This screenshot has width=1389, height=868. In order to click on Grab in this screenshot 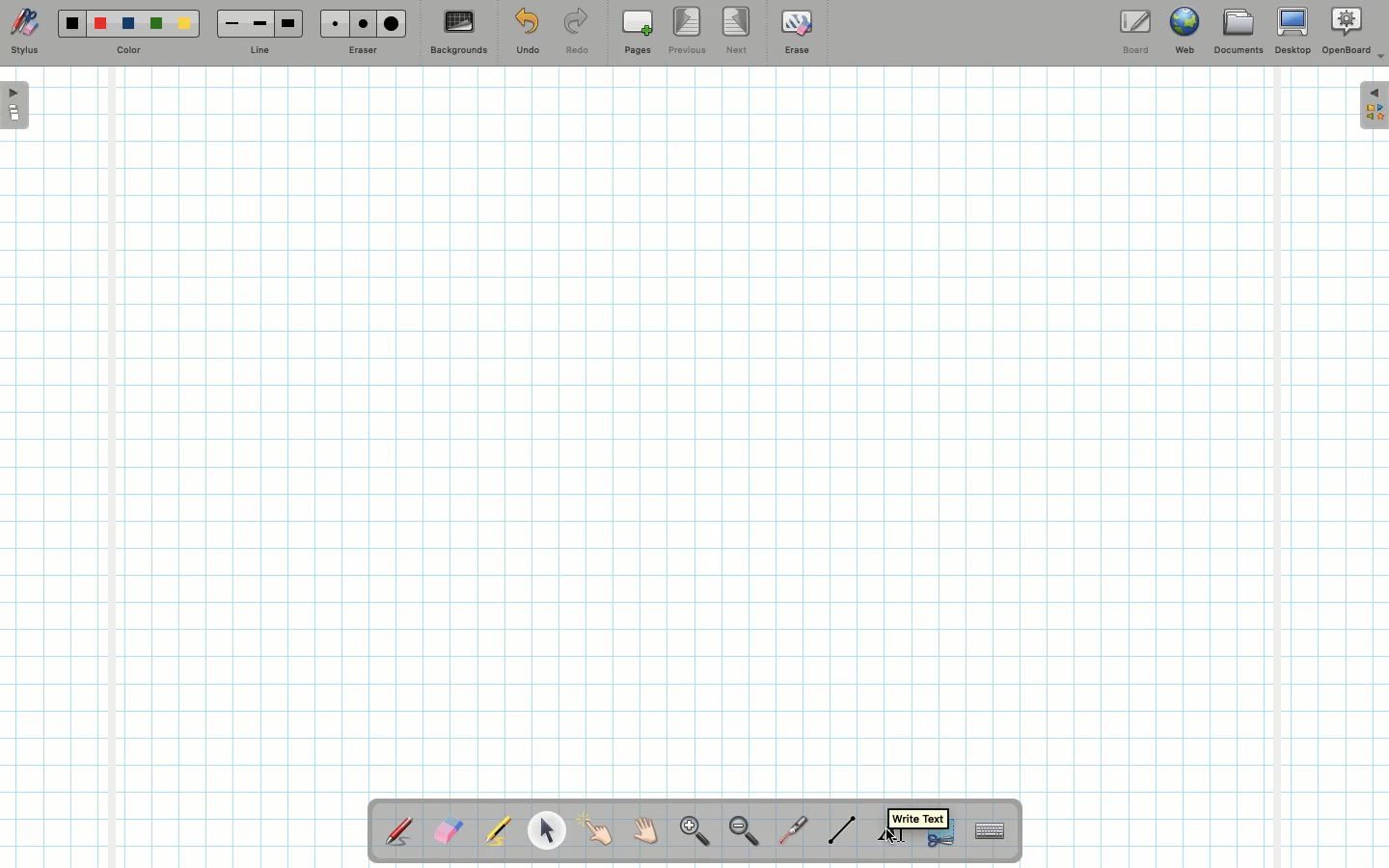, I will do `click(646, 833)`.